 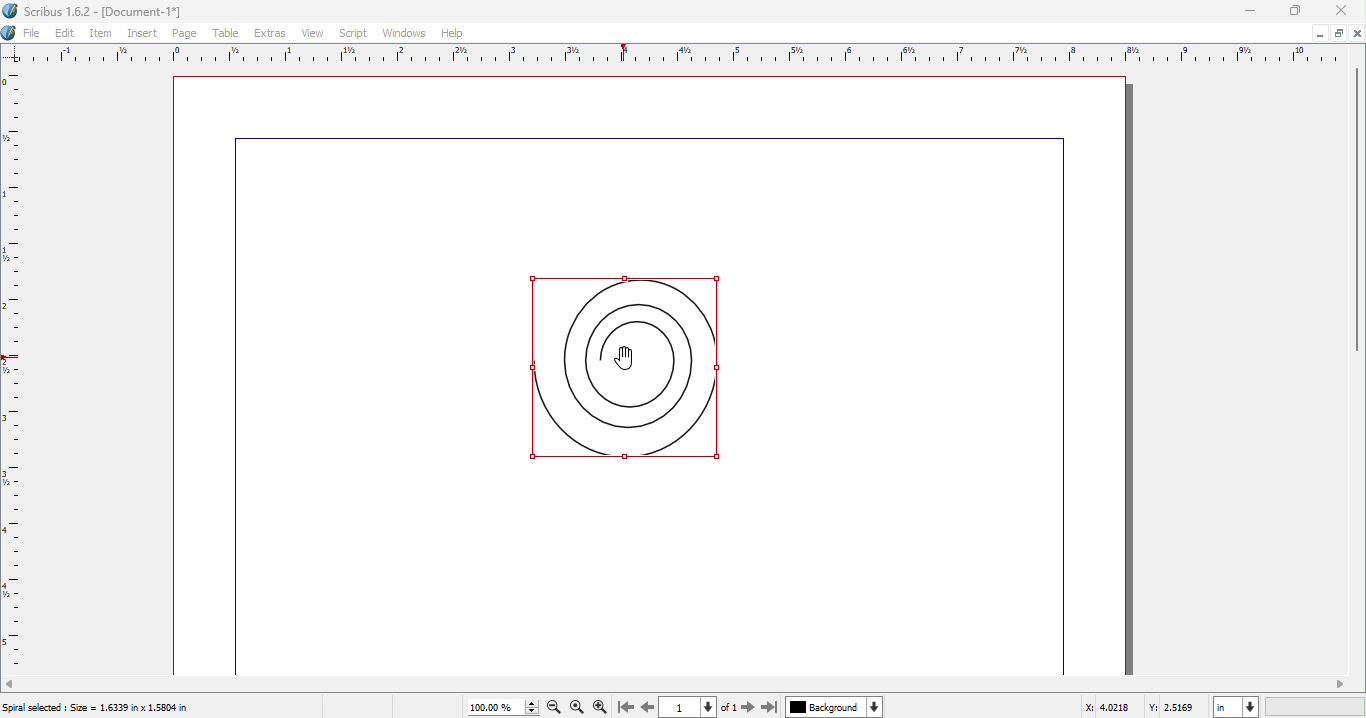 What do you see at coordinates (1178, 708) in the screenshot?
I see `Y co-ordinate` at bounding box center [1178, 708].